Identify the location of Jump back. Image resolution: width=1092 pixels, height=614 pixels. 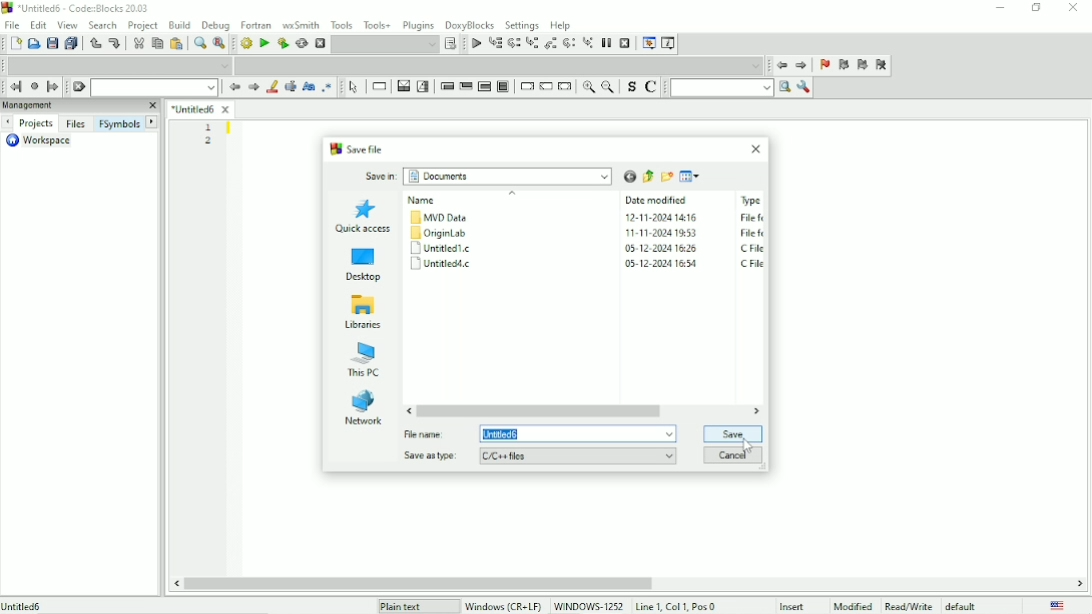
(16, 87).